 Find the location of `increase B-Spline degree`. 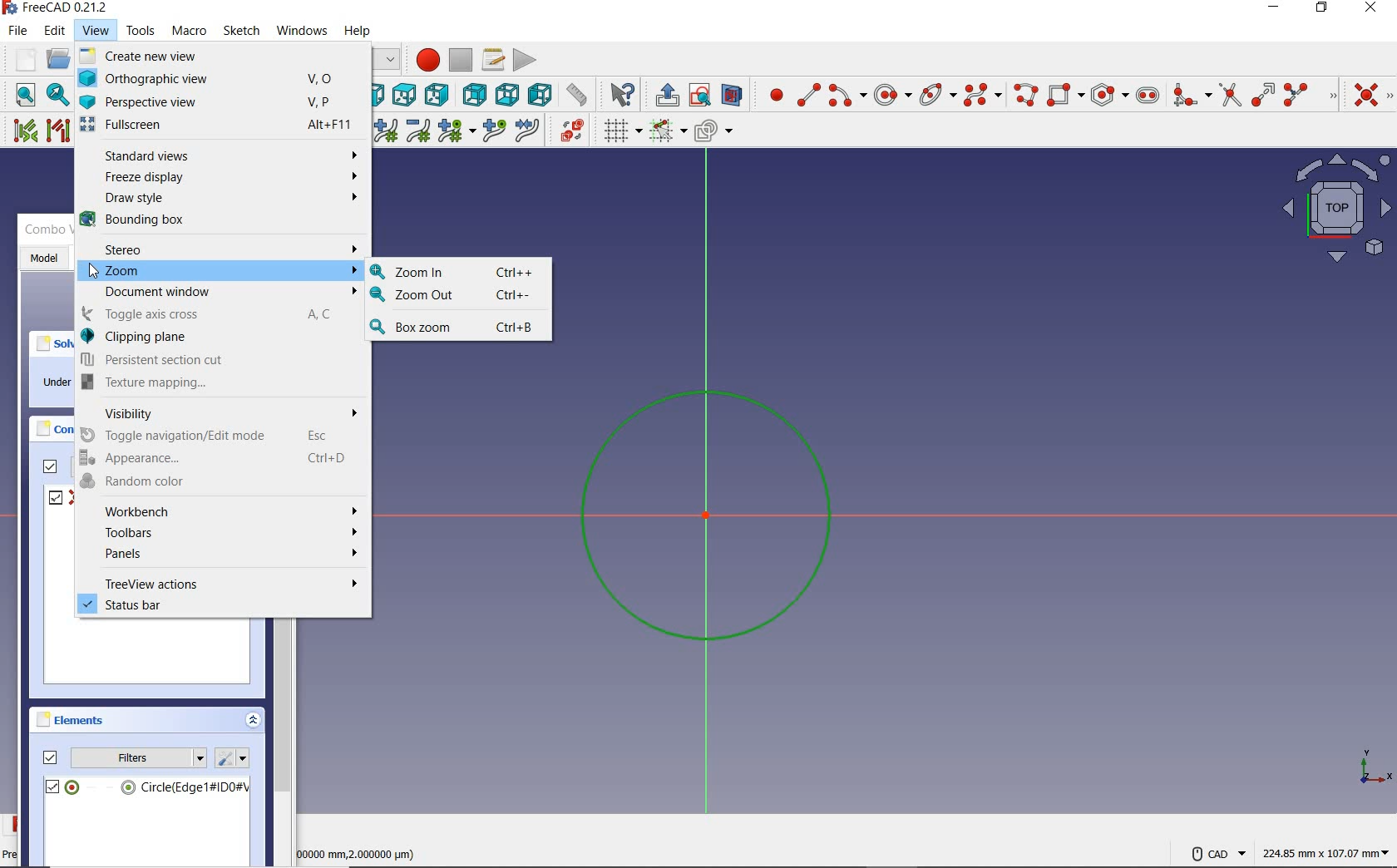

increase B-Spline degree is located at coordinates (383, 131).